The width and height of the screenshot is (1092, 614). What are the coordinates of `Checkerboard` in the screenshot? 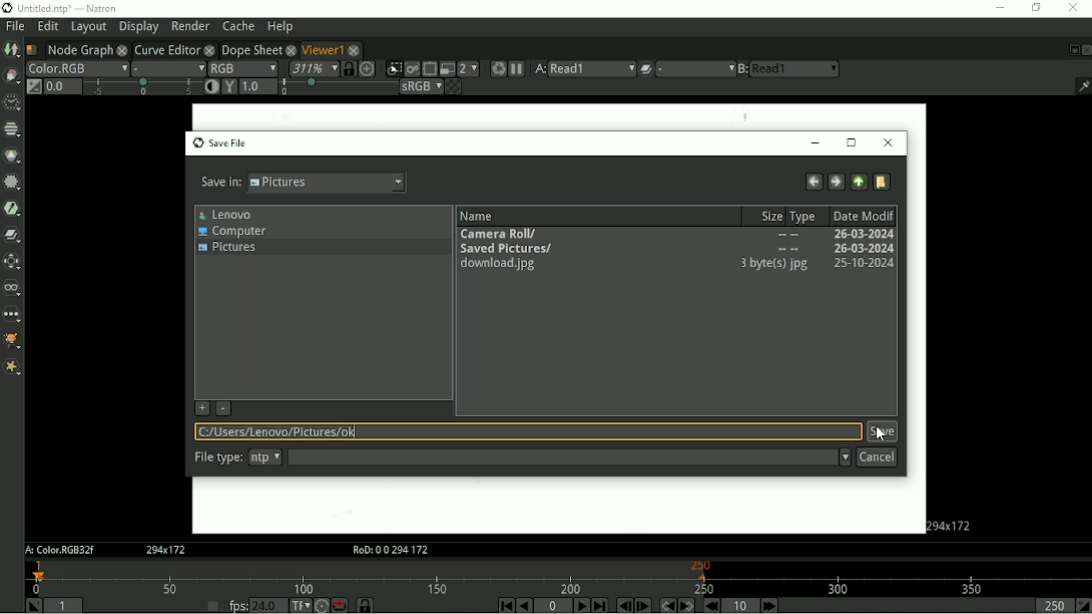 It's located at (454, 88).